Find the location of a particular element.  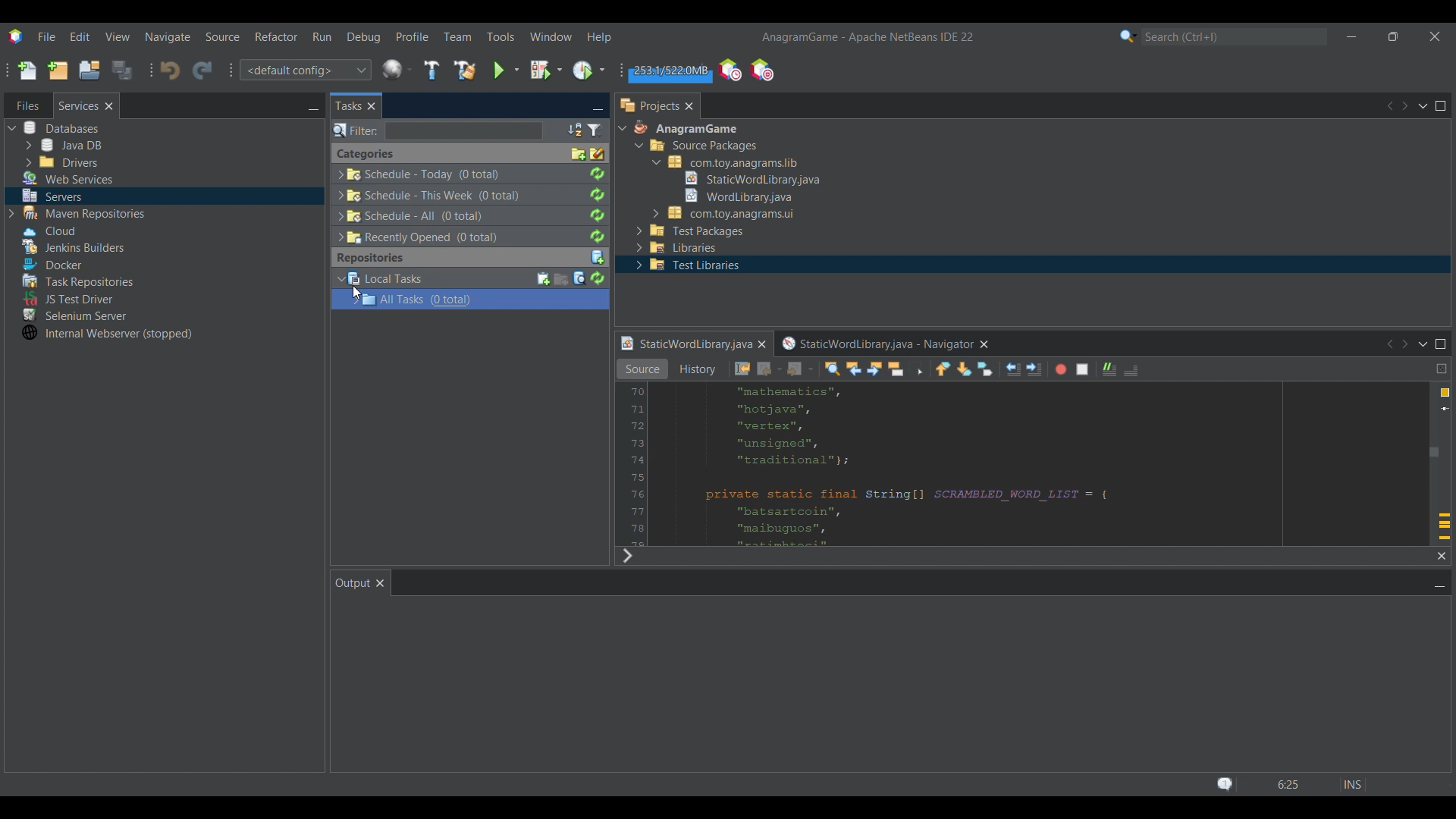

 is located at coordinates (740, 369).